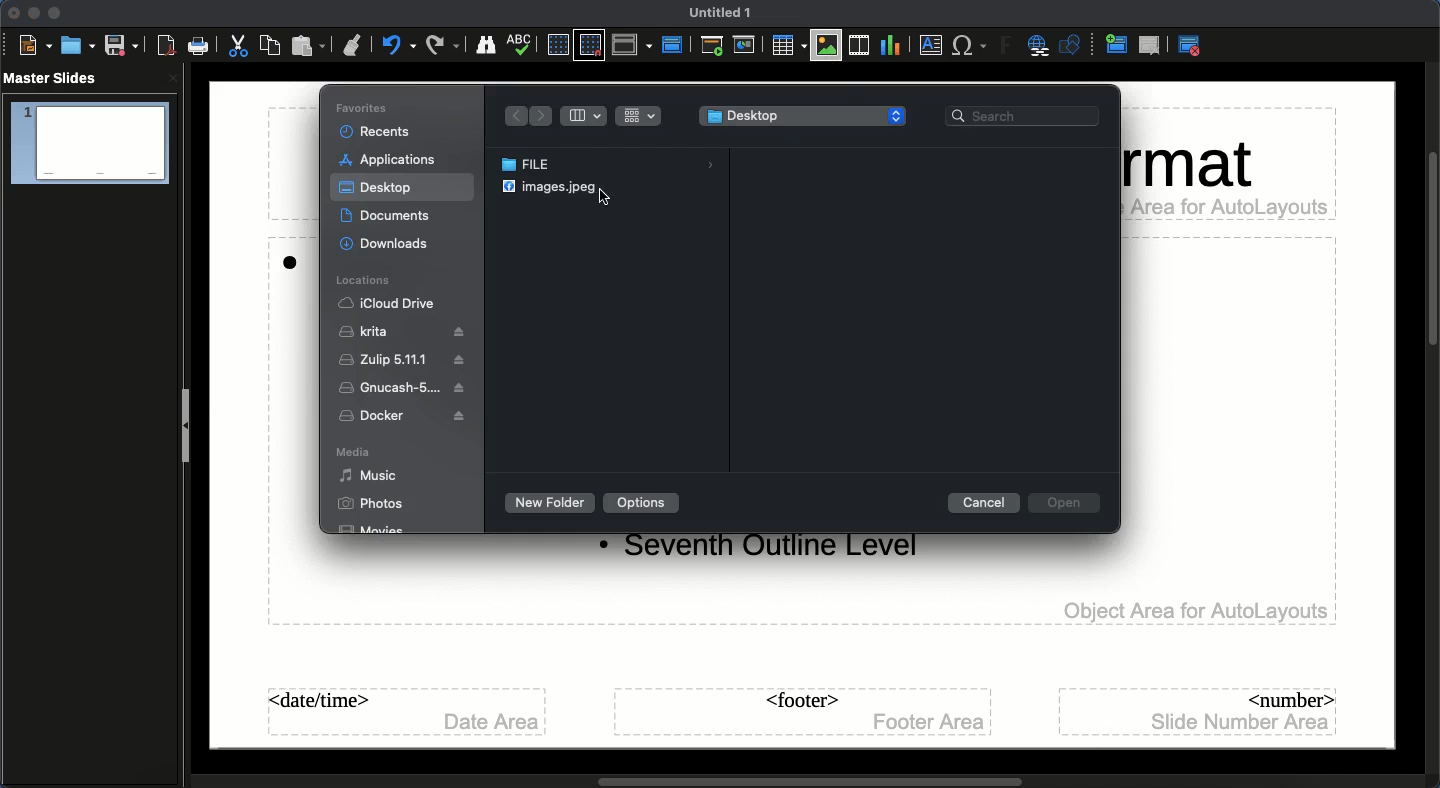 The height and width of the screenshot is (788, 1440). I want to click on Open, so click(75, 46).